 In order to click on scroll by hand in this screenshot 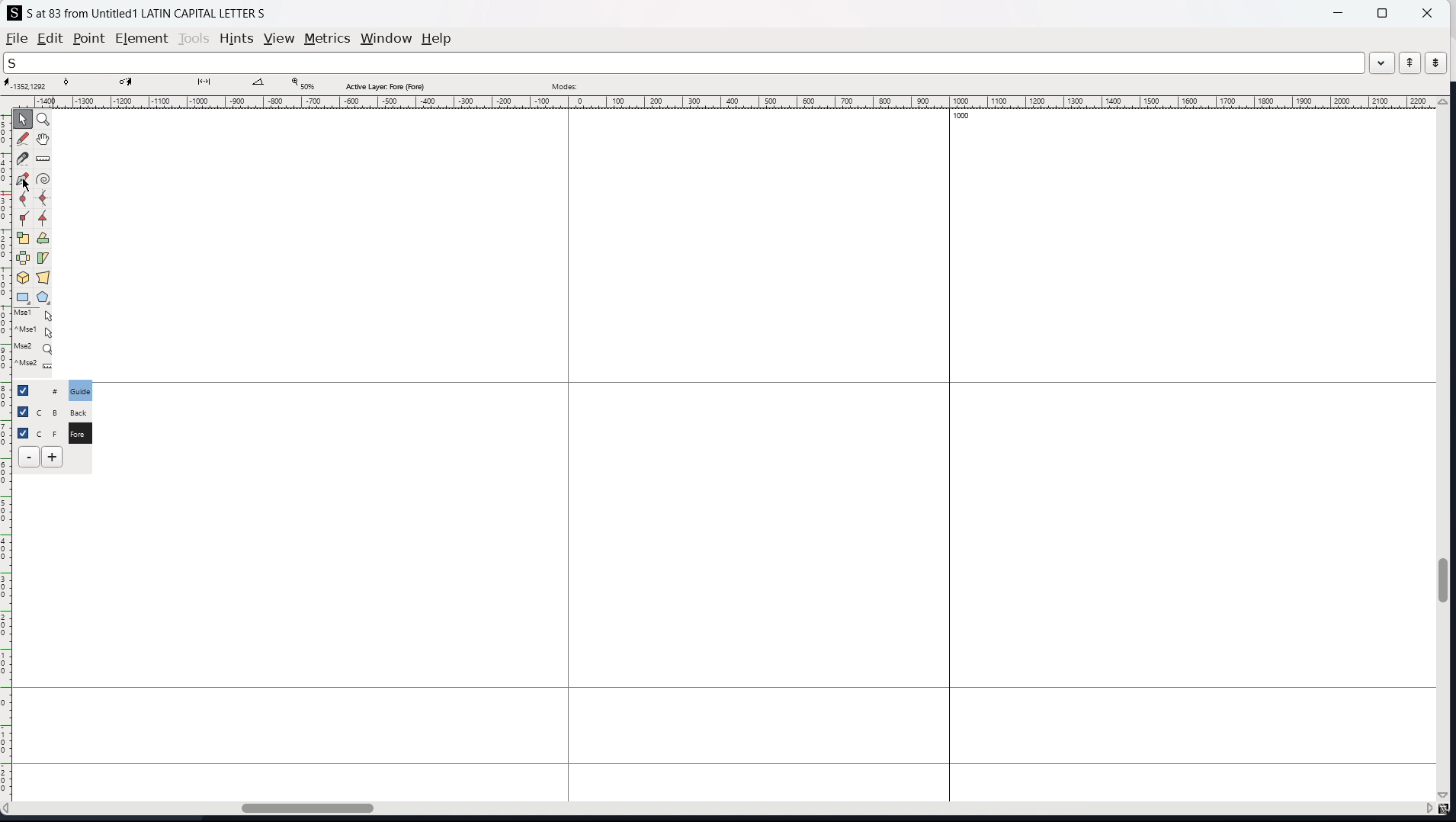, I will do `click(45, 140)`.